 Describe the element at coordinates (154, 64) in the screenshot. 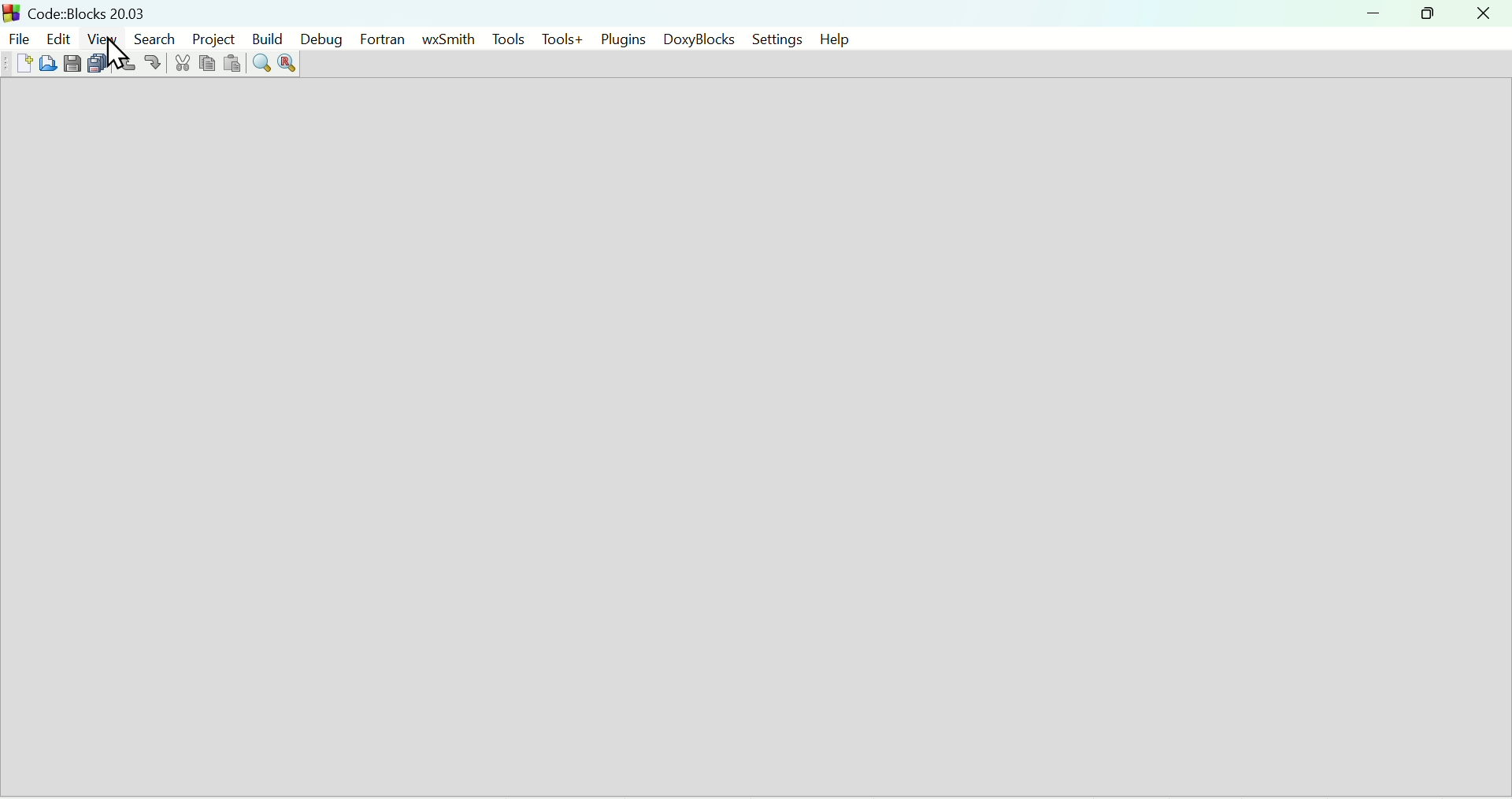

I see `redo` at that location.